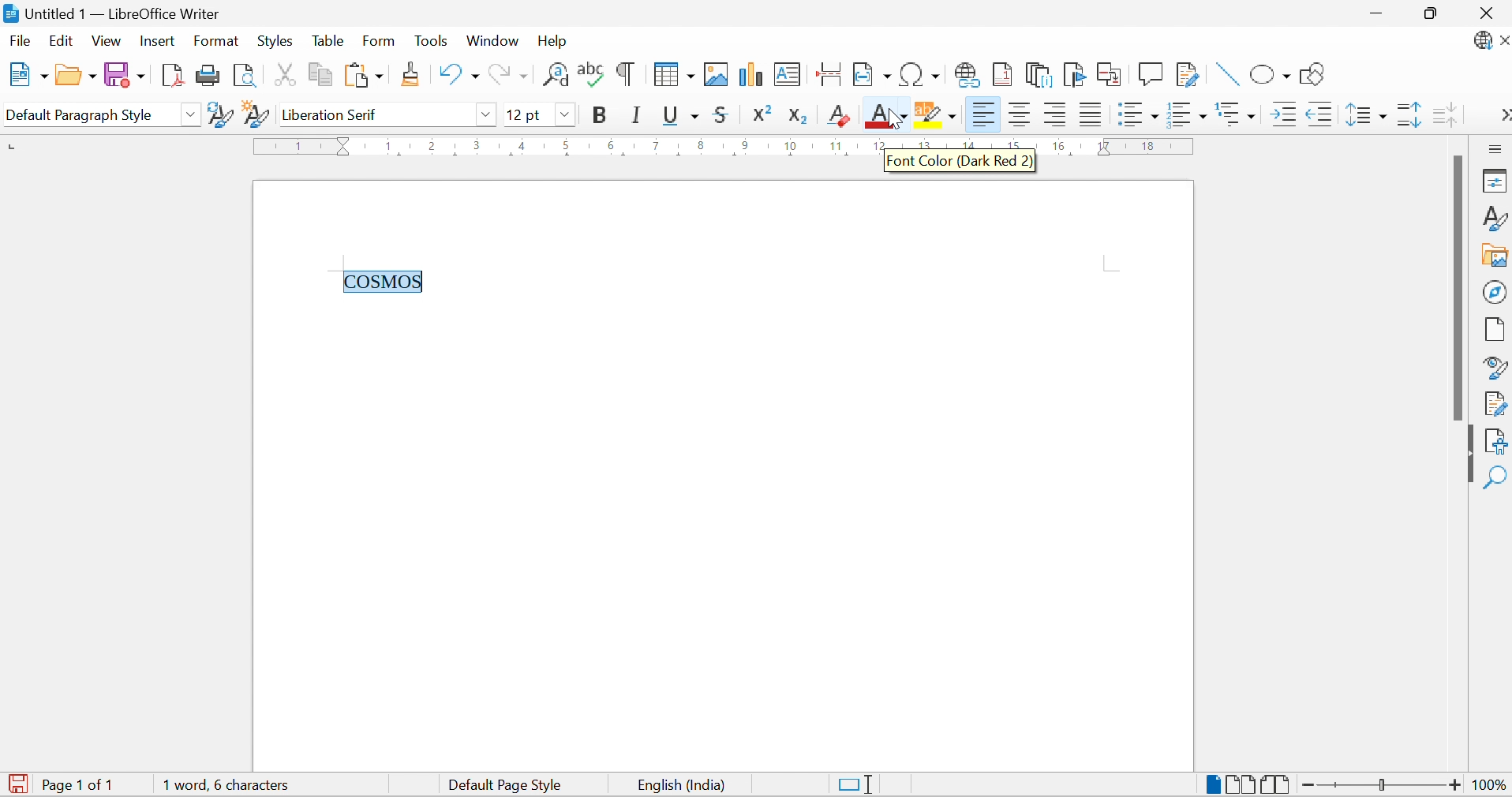  Describe the element at coordinates (1485, 12) in the screenshot. I see `Close` at that location.